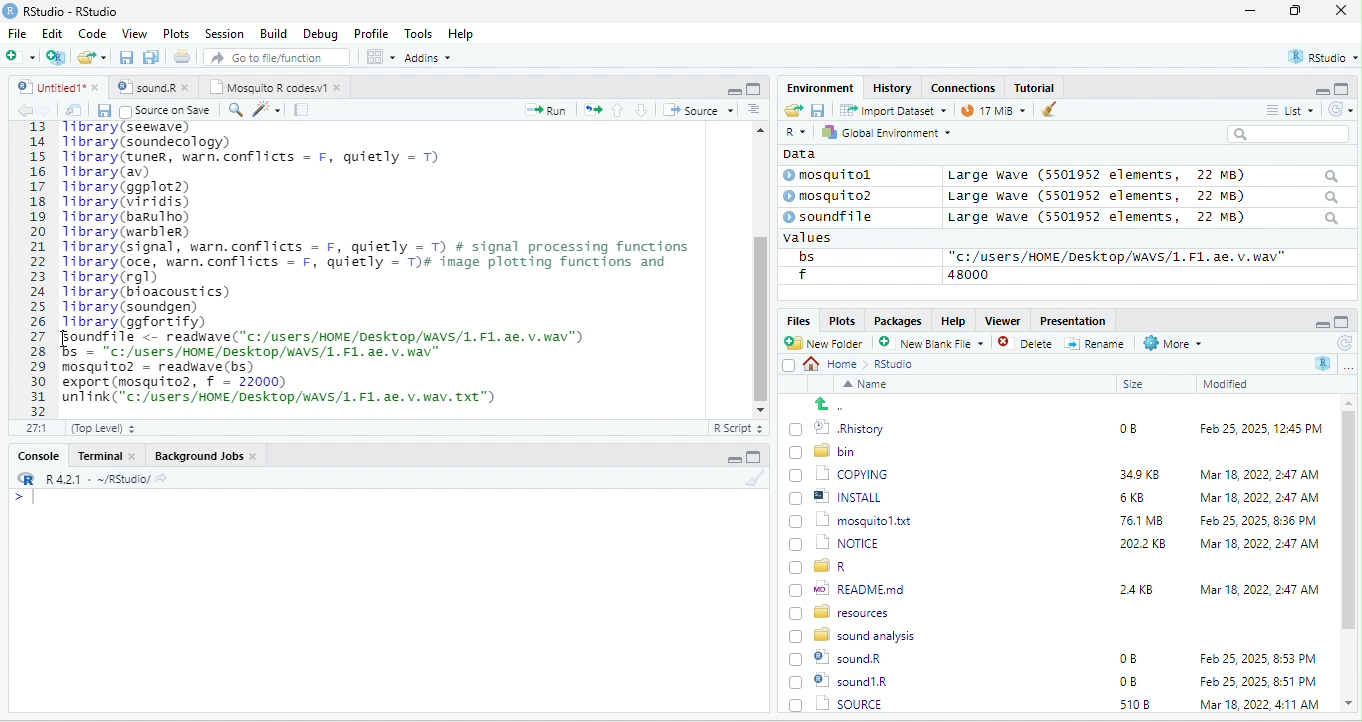 The height and width of the screenshot is (722, 1362). Describe the element at coordinates (1286, 110) in the screenshot. I see `= List ~` at that location.